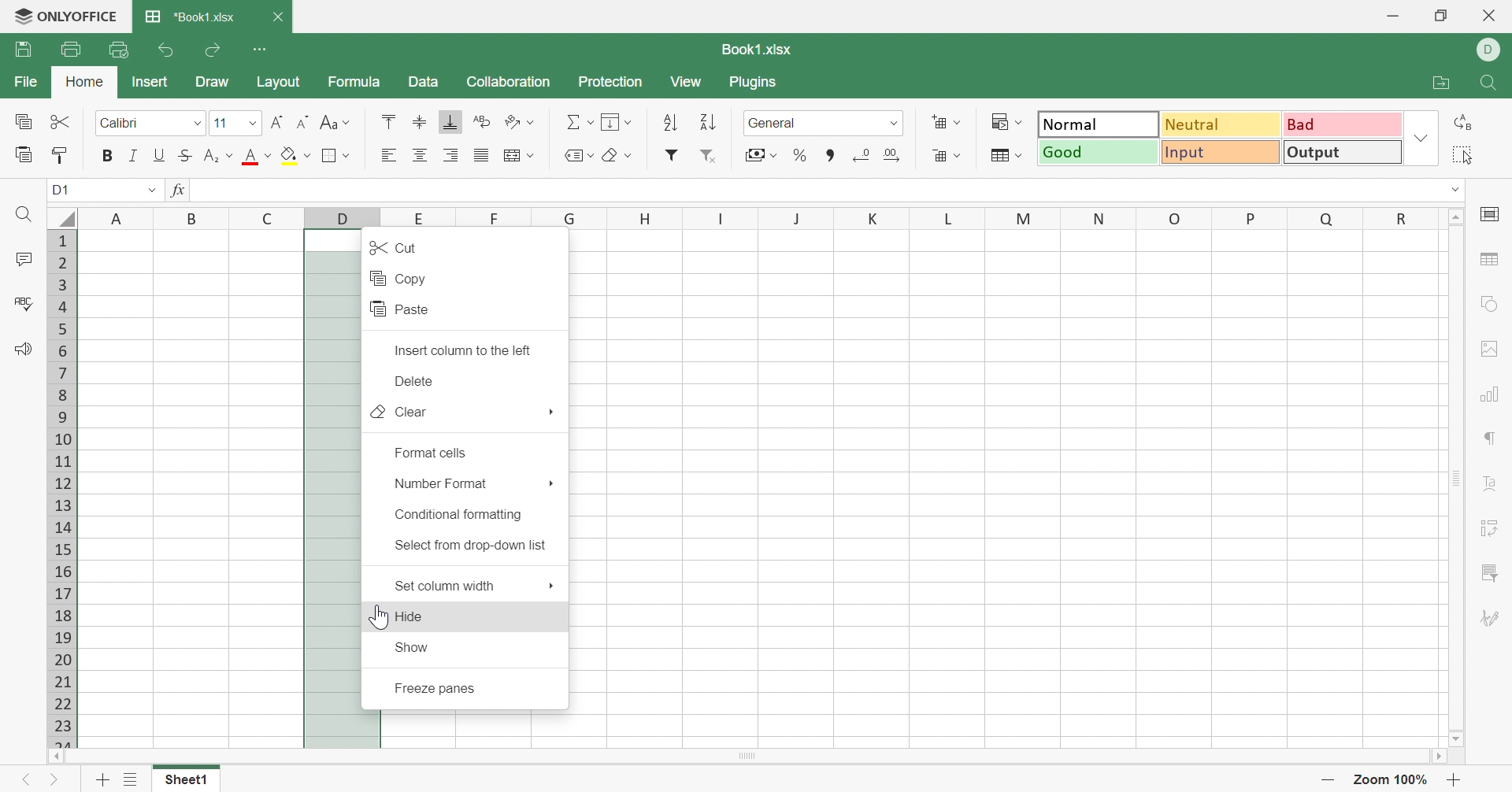 The height and width of the screenshot is (792, 1512). Describe the element at coordinates (1328, 779) in the screenshot. I see `Zoom out` at that location.